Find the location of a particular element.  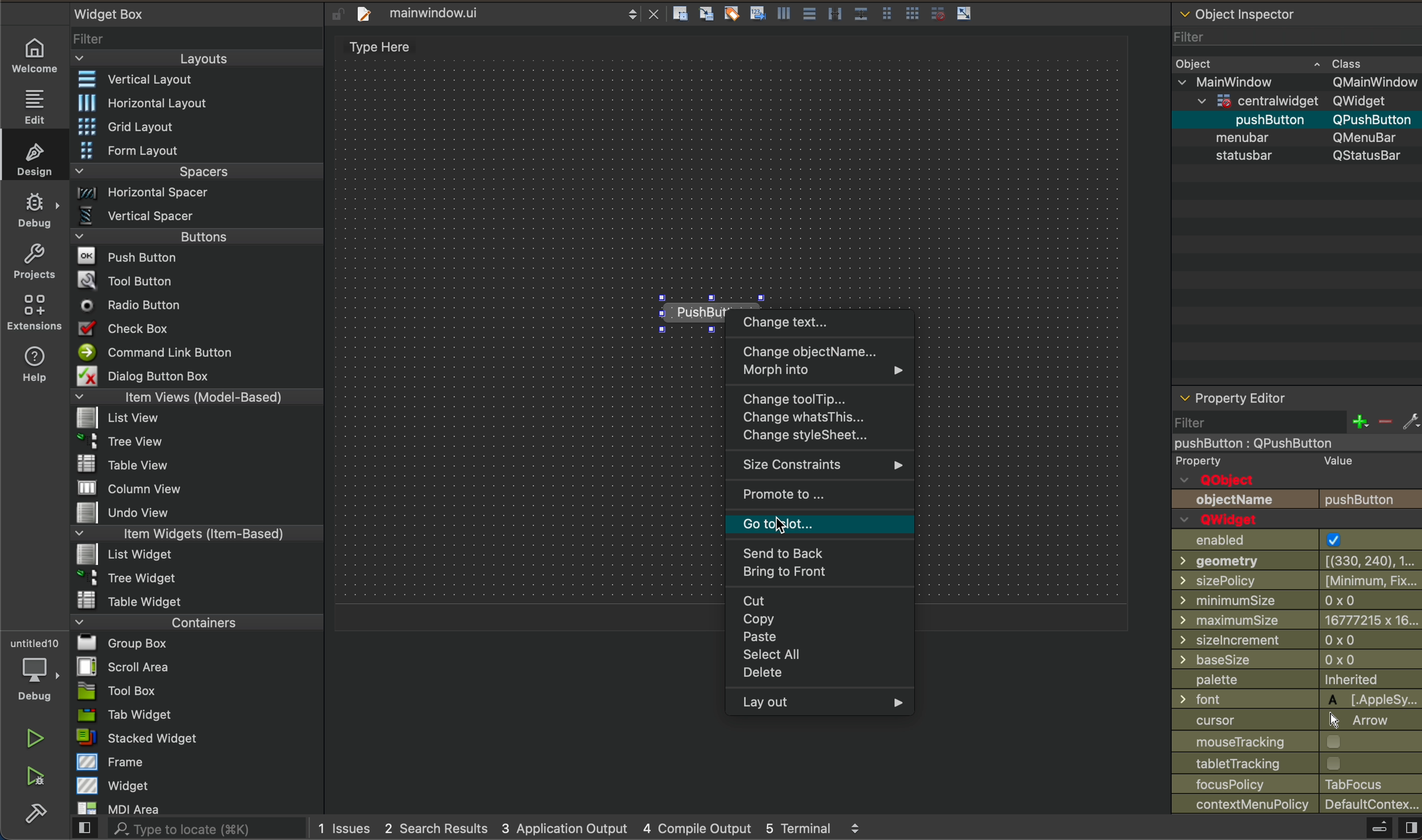

 is located at coordinates (840, 12).